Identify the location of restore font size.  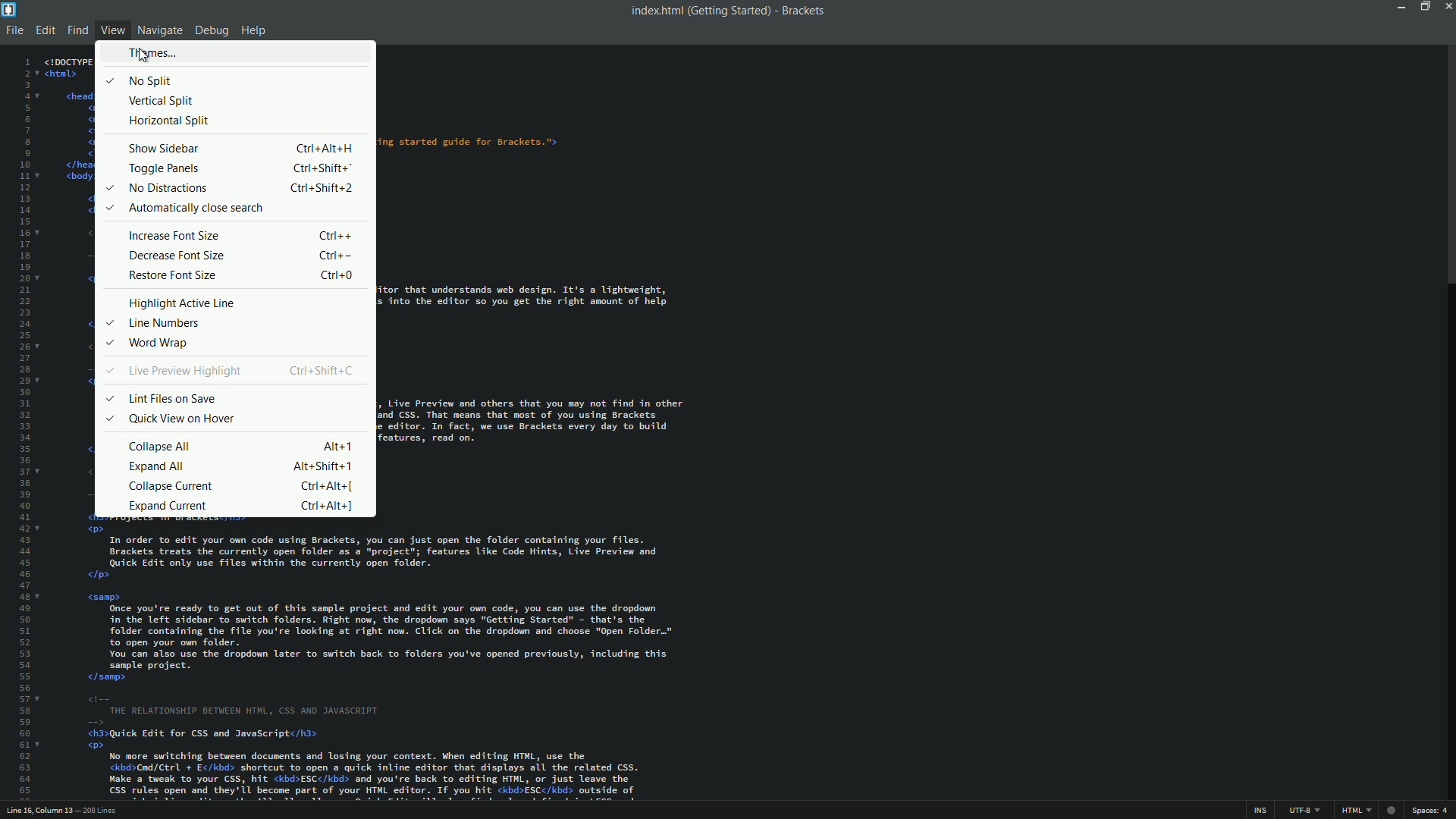
(174, 275).